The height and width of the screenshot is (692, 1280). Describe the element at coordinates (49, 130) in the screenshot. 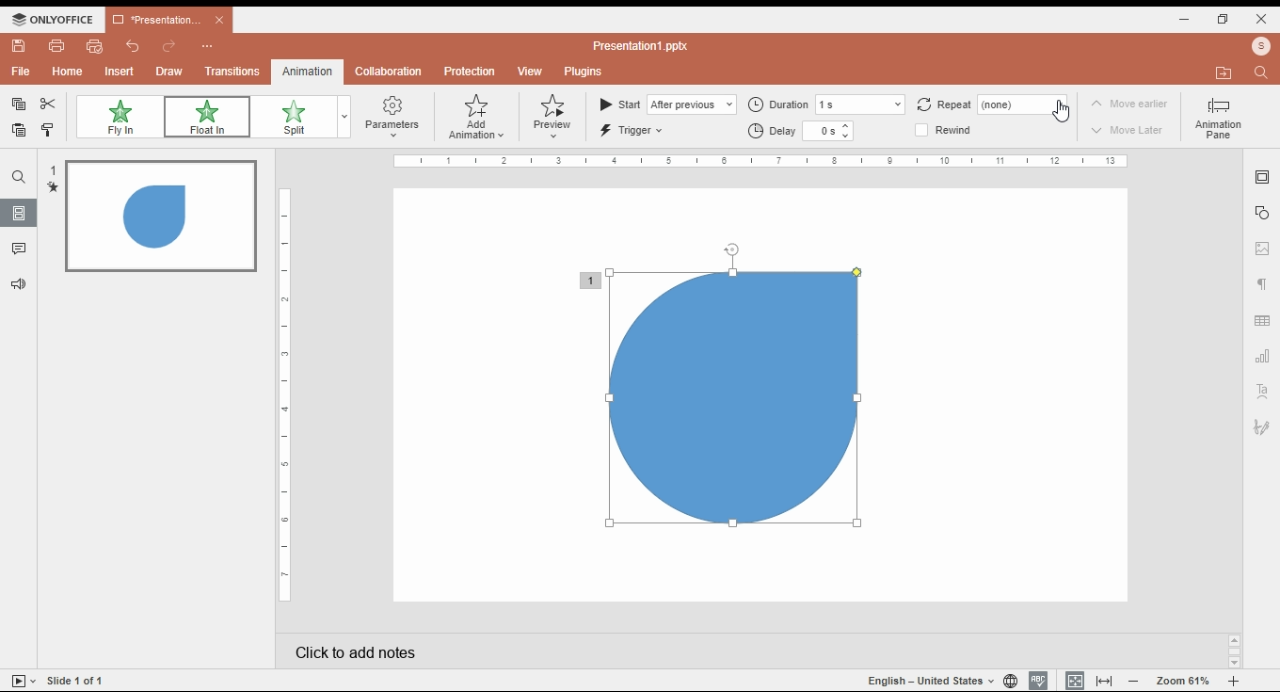

I see `copy style` at that location.